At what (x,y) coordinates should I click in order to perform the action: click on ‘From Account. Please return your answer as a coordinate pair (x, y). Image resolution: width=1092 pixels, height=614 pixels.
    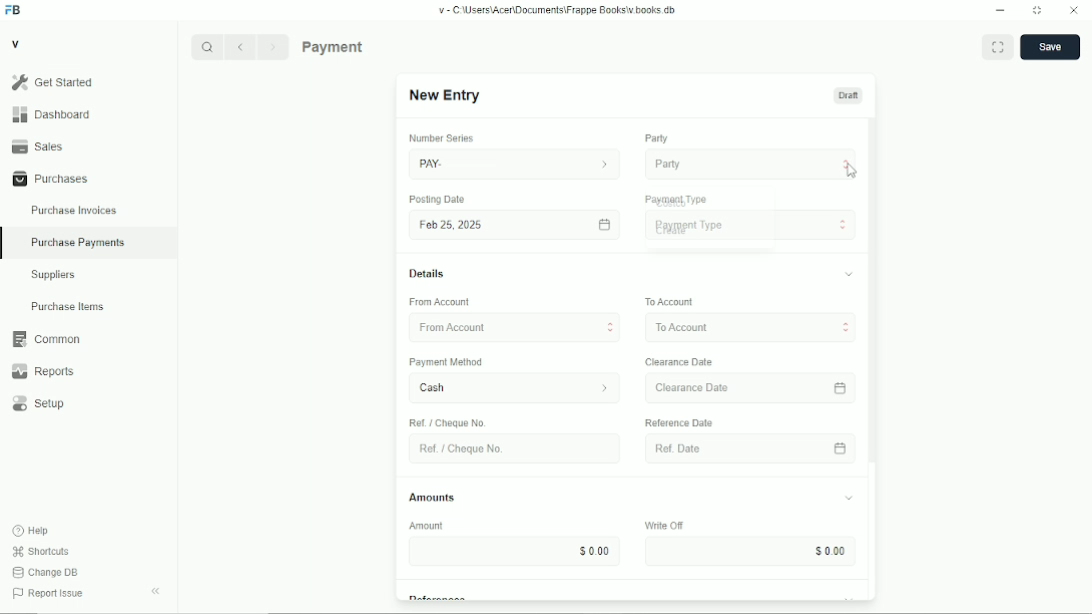
    Looking at the image, I should click on (438, 303).